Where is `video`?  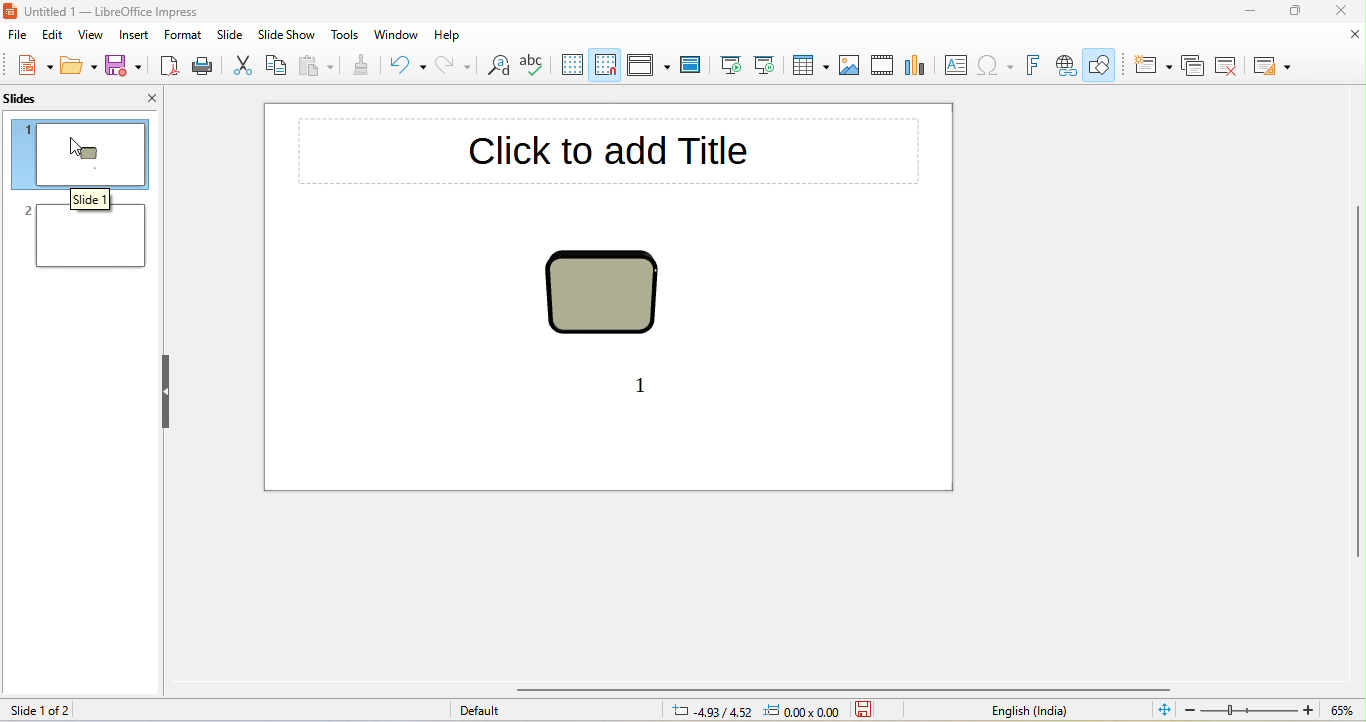 video is located at coordinates (882, 67).